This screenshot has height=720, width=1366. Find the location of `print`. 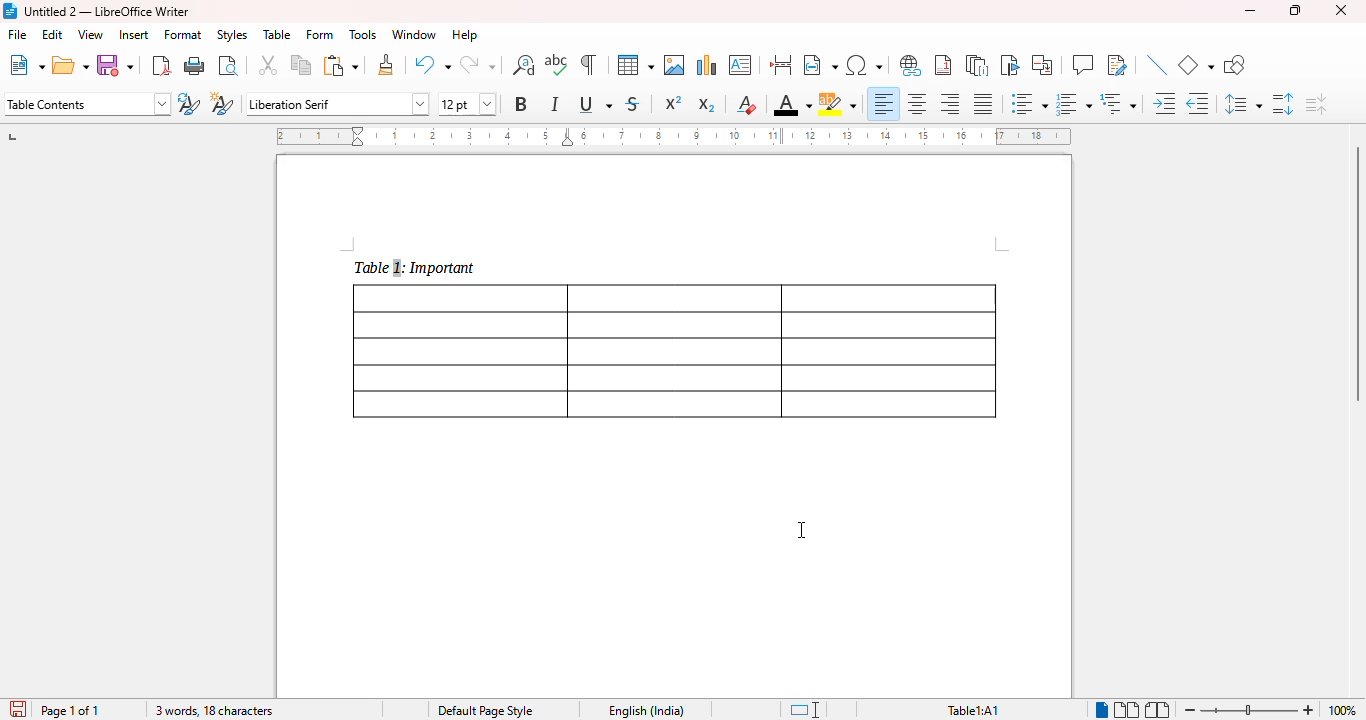

print is located at coordinates (195, 65).